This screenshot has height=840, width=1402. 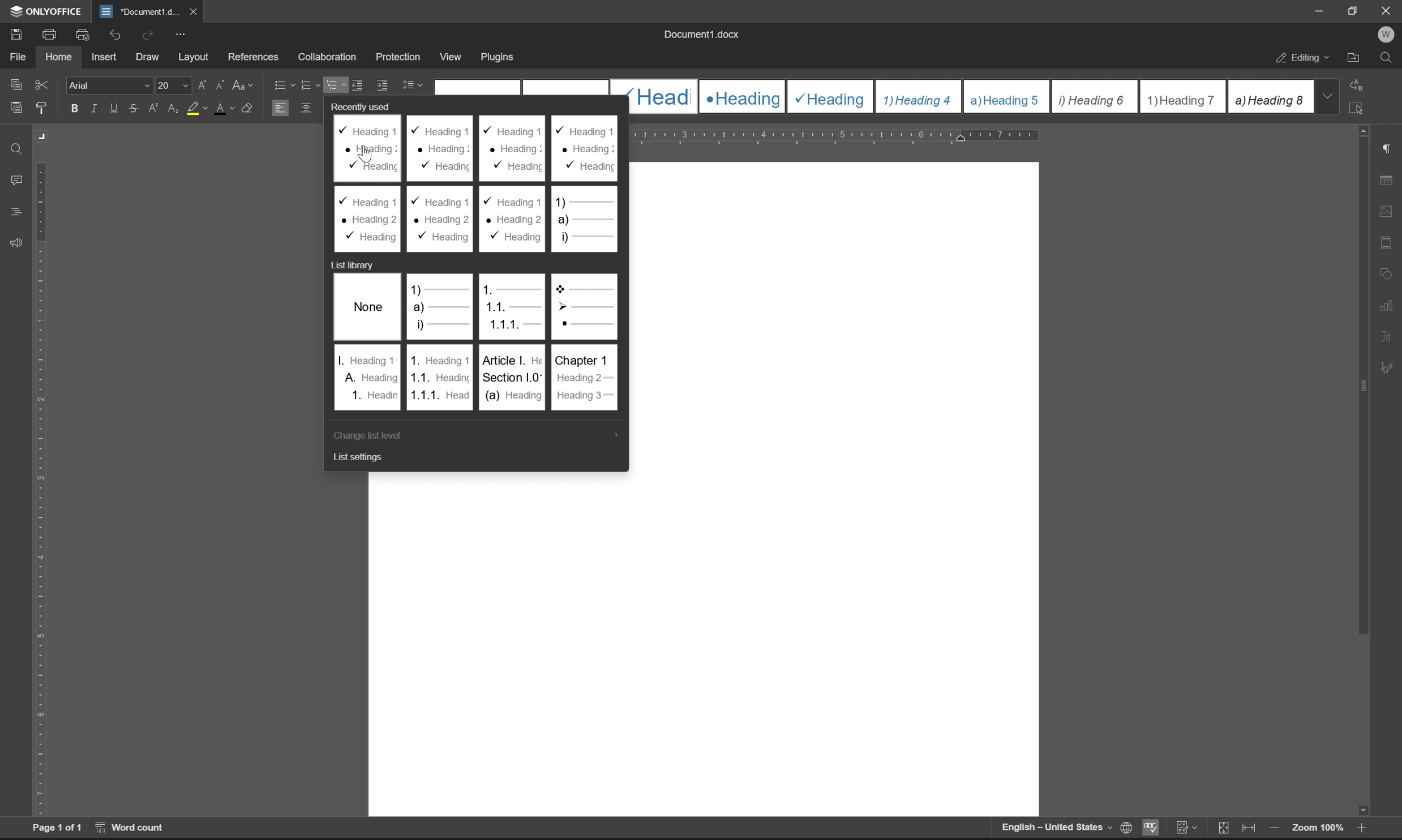 I want to click on track changes, so click(x=1186, y=828).